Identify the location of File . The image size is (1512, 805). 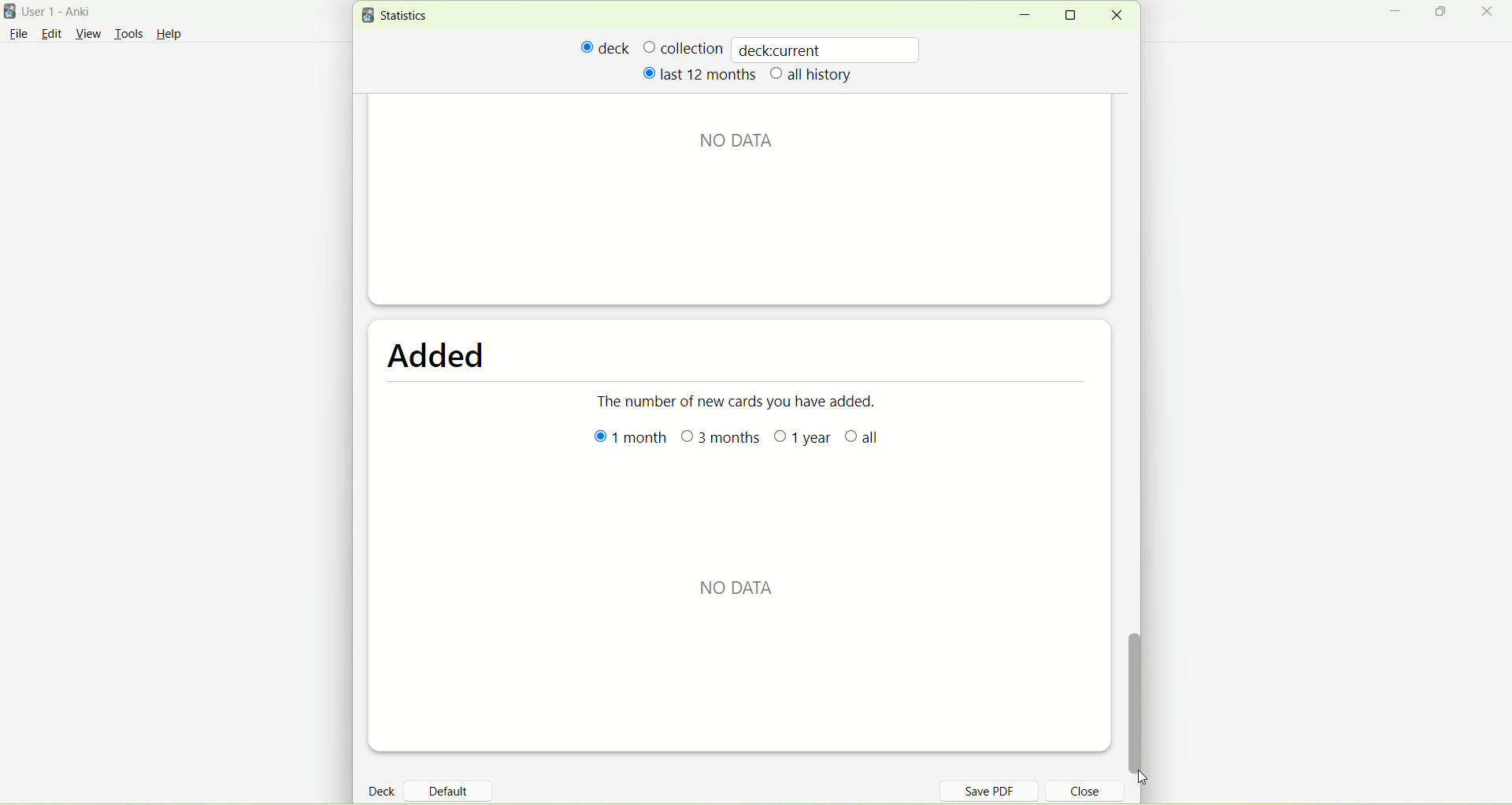
(18, 34).